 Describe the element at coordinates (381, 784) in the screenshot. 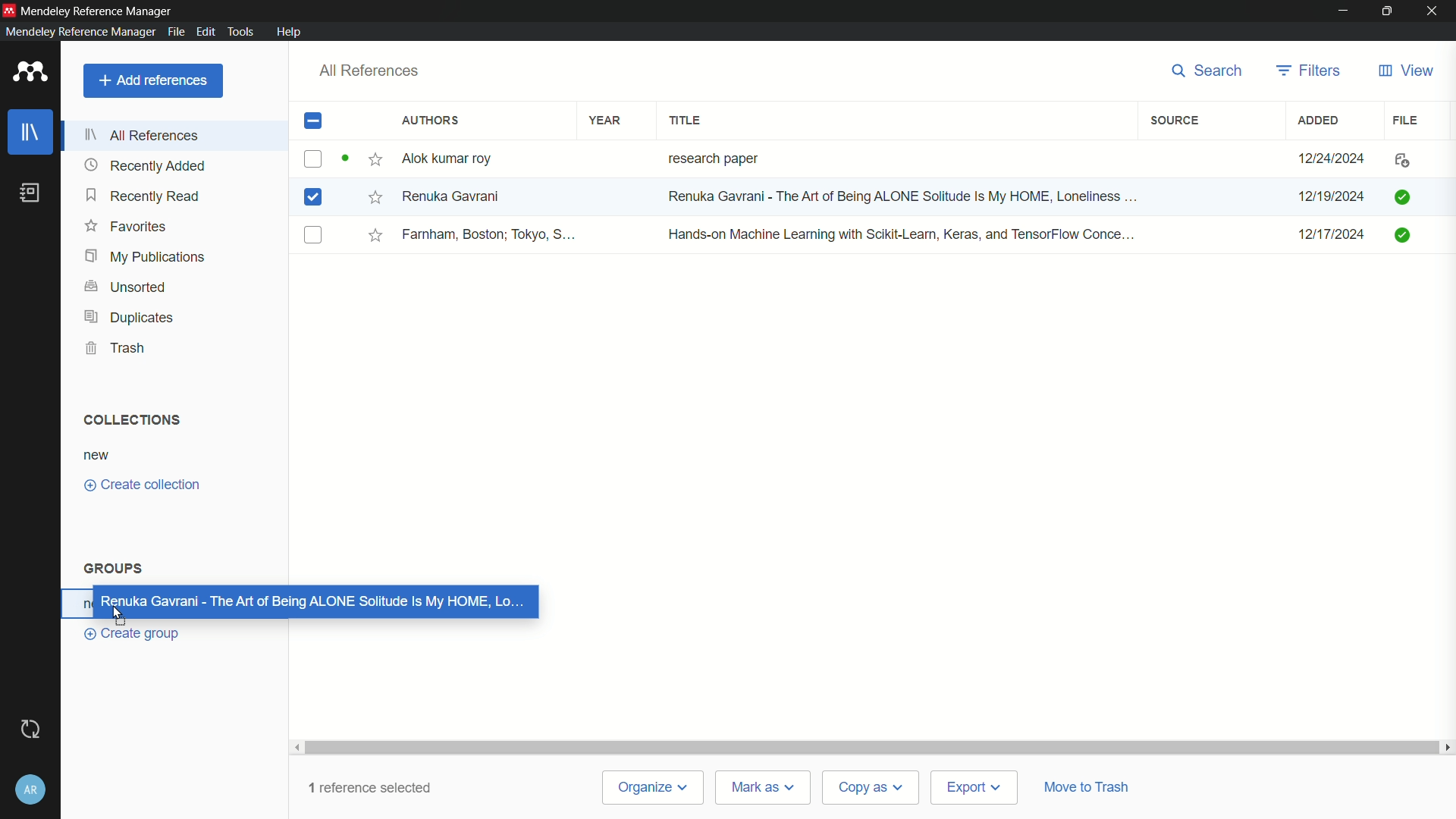

I see `1 reference selected` at that location.